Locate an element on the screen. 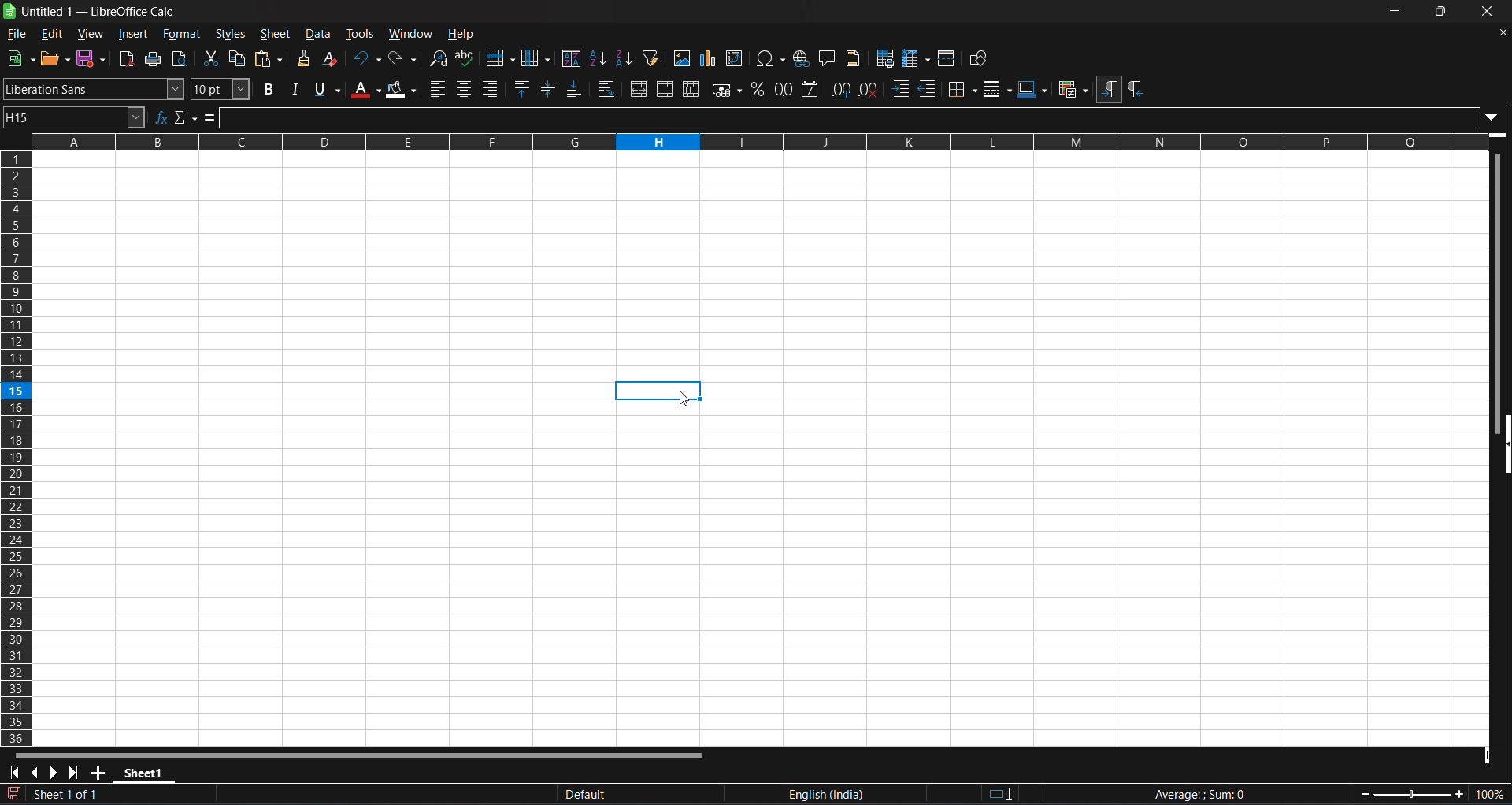  insert image is located at coordinates (682, 58).